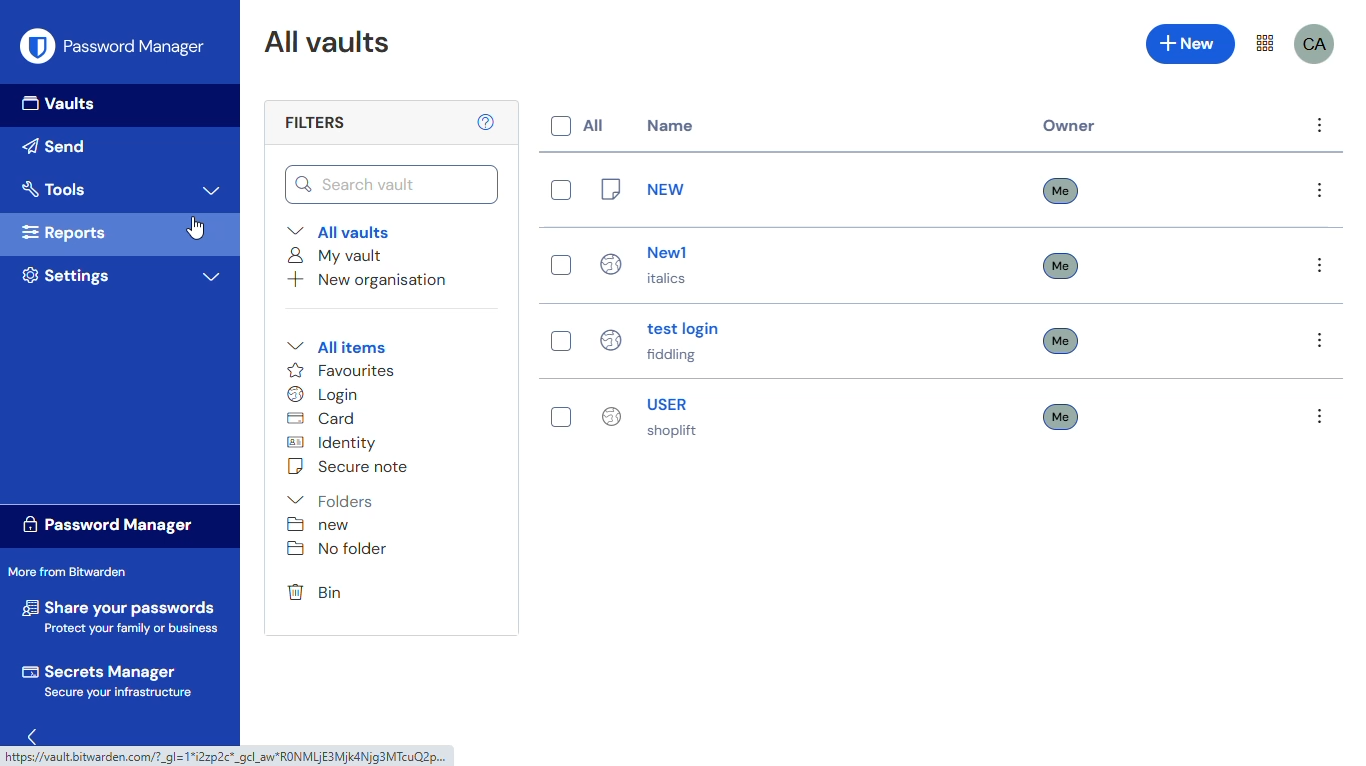  I want to click on test login fiddling, so click(657, 339).